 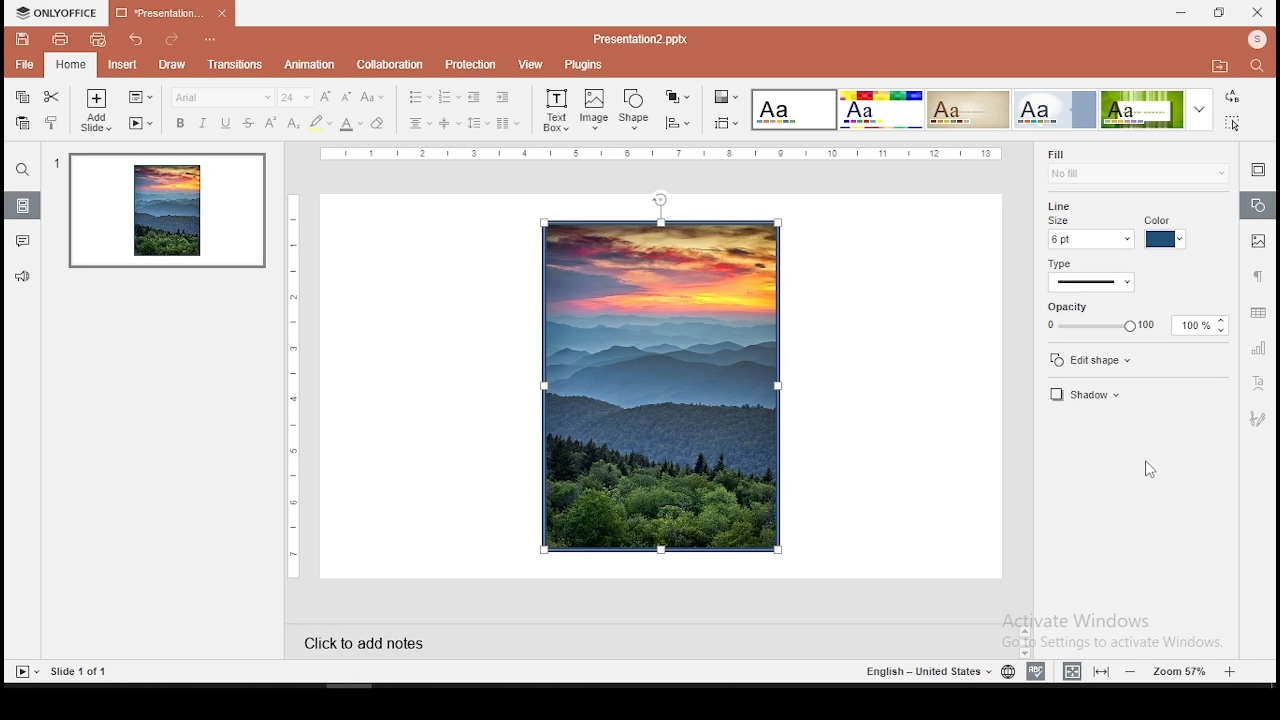 What do you see at coordinates (419, 96) in the screenshot?
I see `bullets` at bounding box center [419, 96].